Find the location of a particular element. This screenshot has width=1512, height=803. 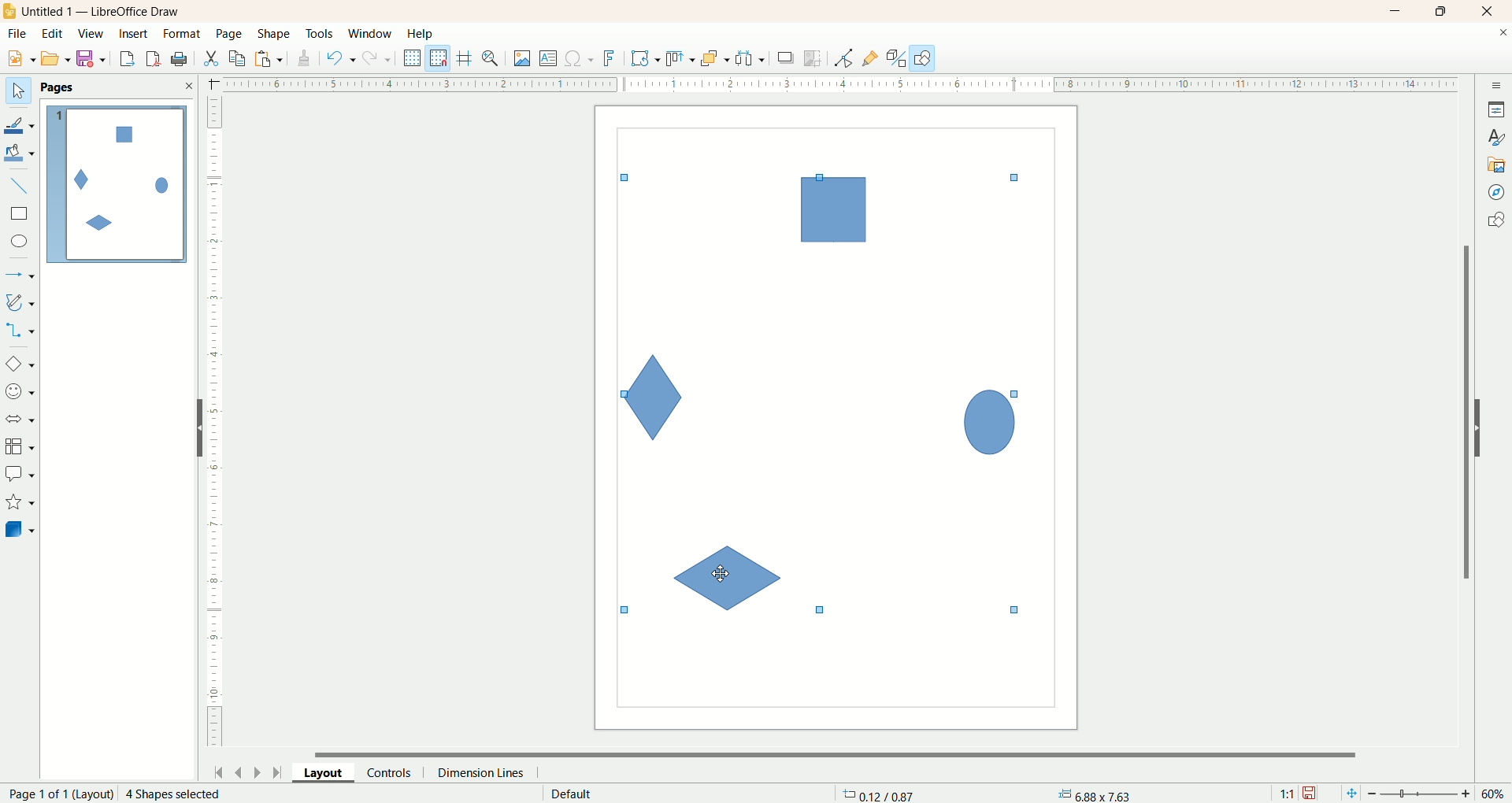

allign object is located at coordinates (681, 59).